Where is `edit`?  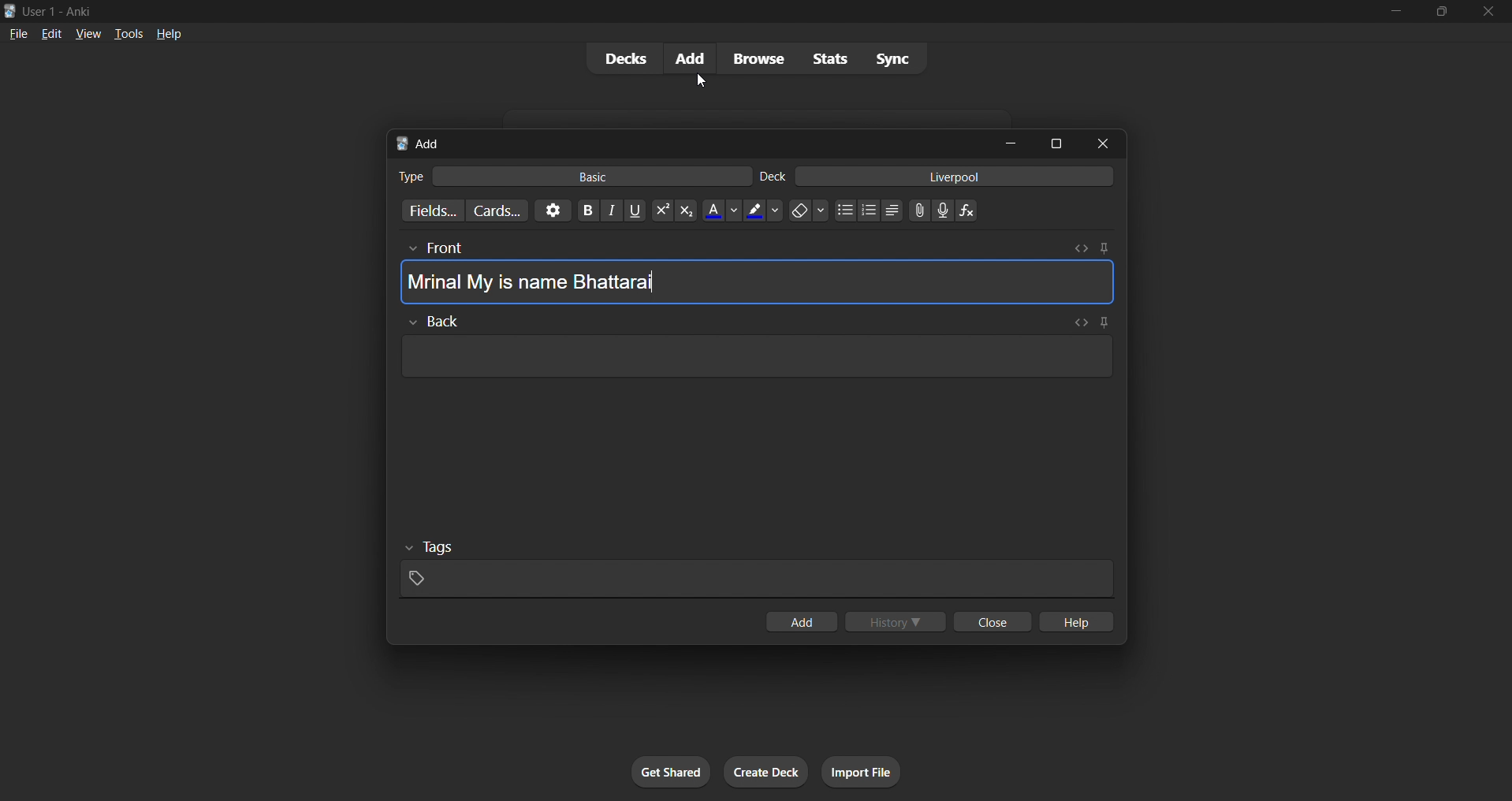 edit is located at coordinates (50, 32).